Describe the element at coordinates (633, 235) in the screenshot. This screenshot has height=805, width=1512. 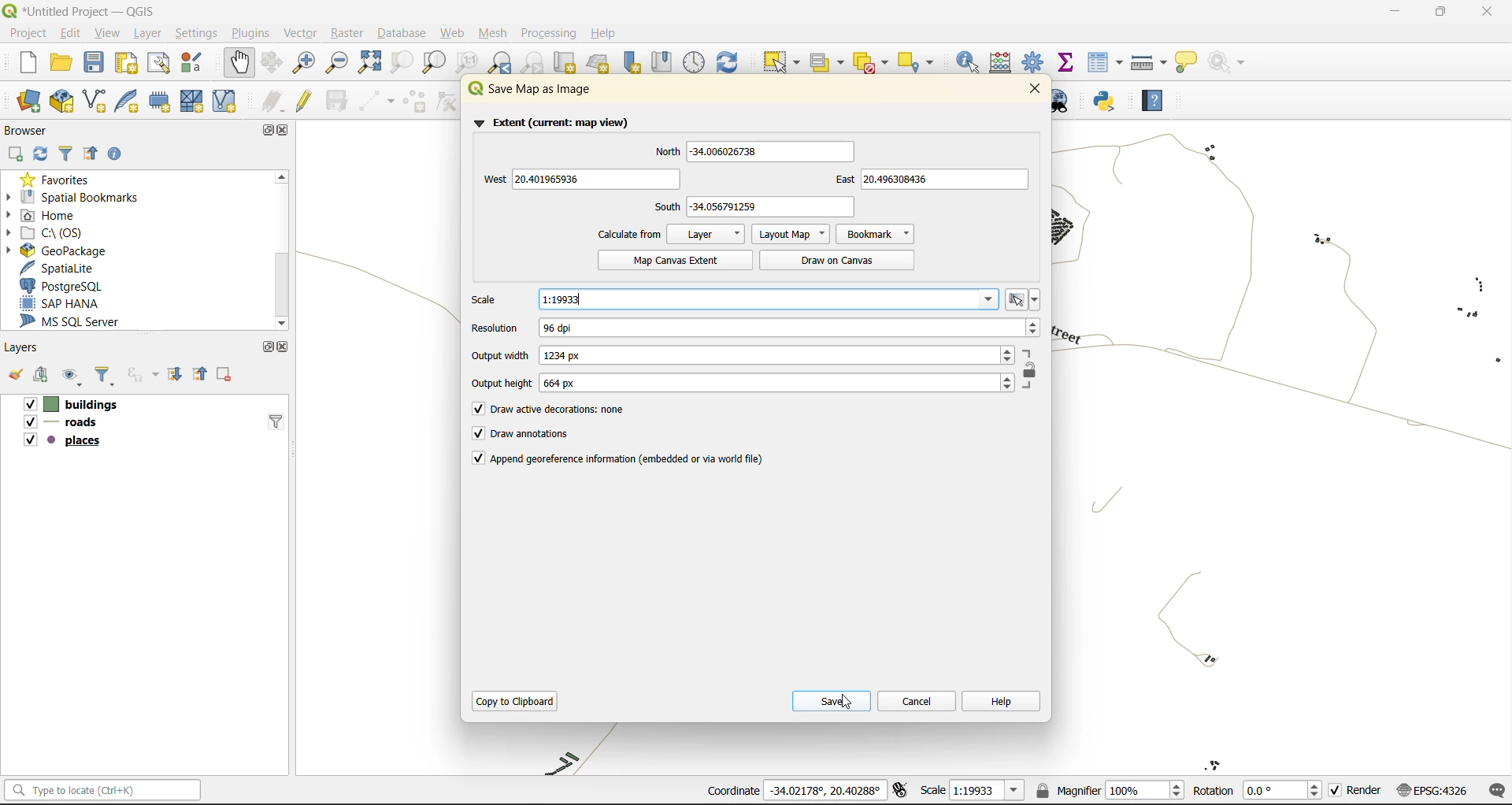
I see `calculate from` at that location.